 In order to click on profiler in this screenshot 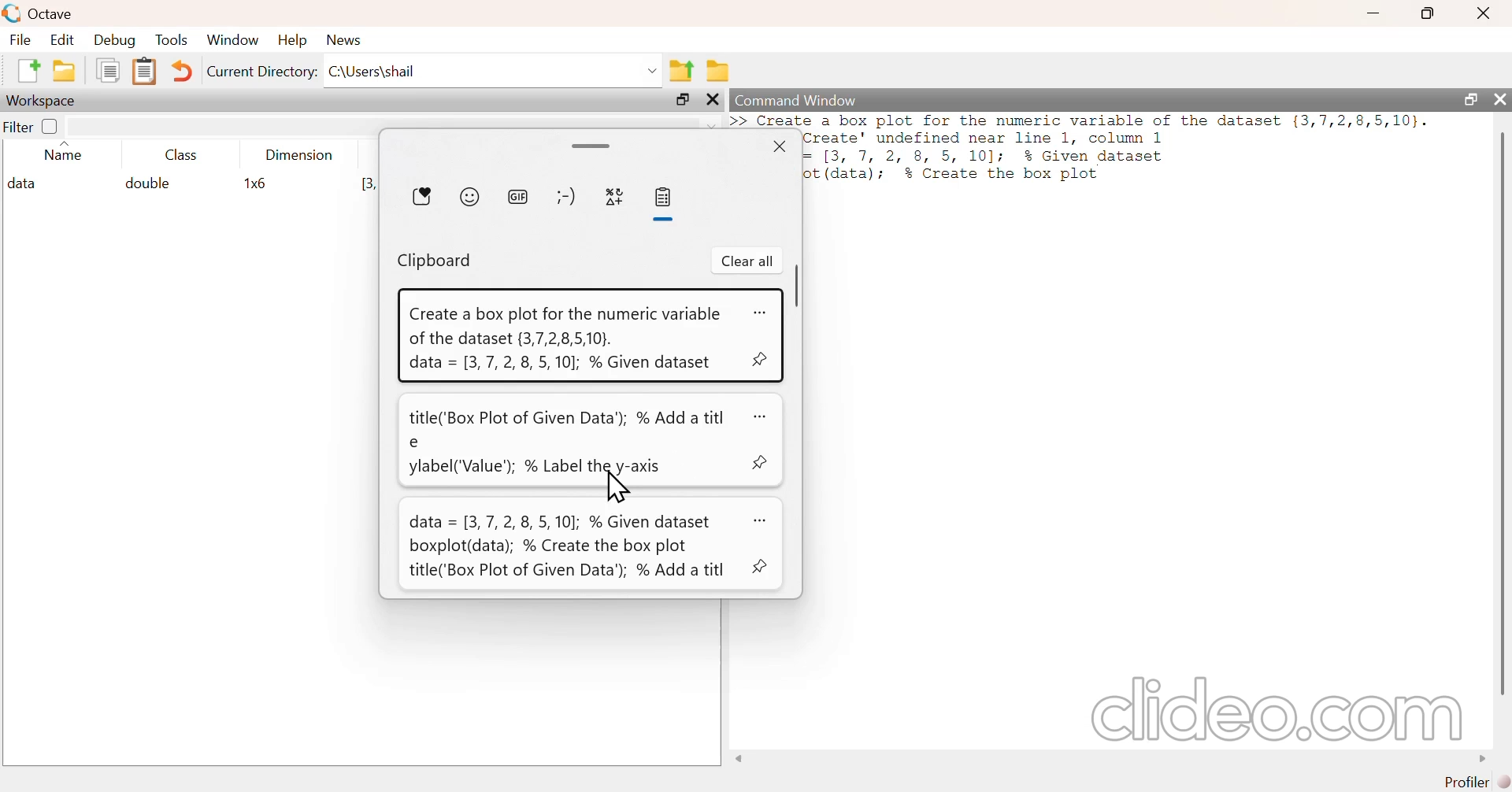, I will do `click(1480, 782)`.